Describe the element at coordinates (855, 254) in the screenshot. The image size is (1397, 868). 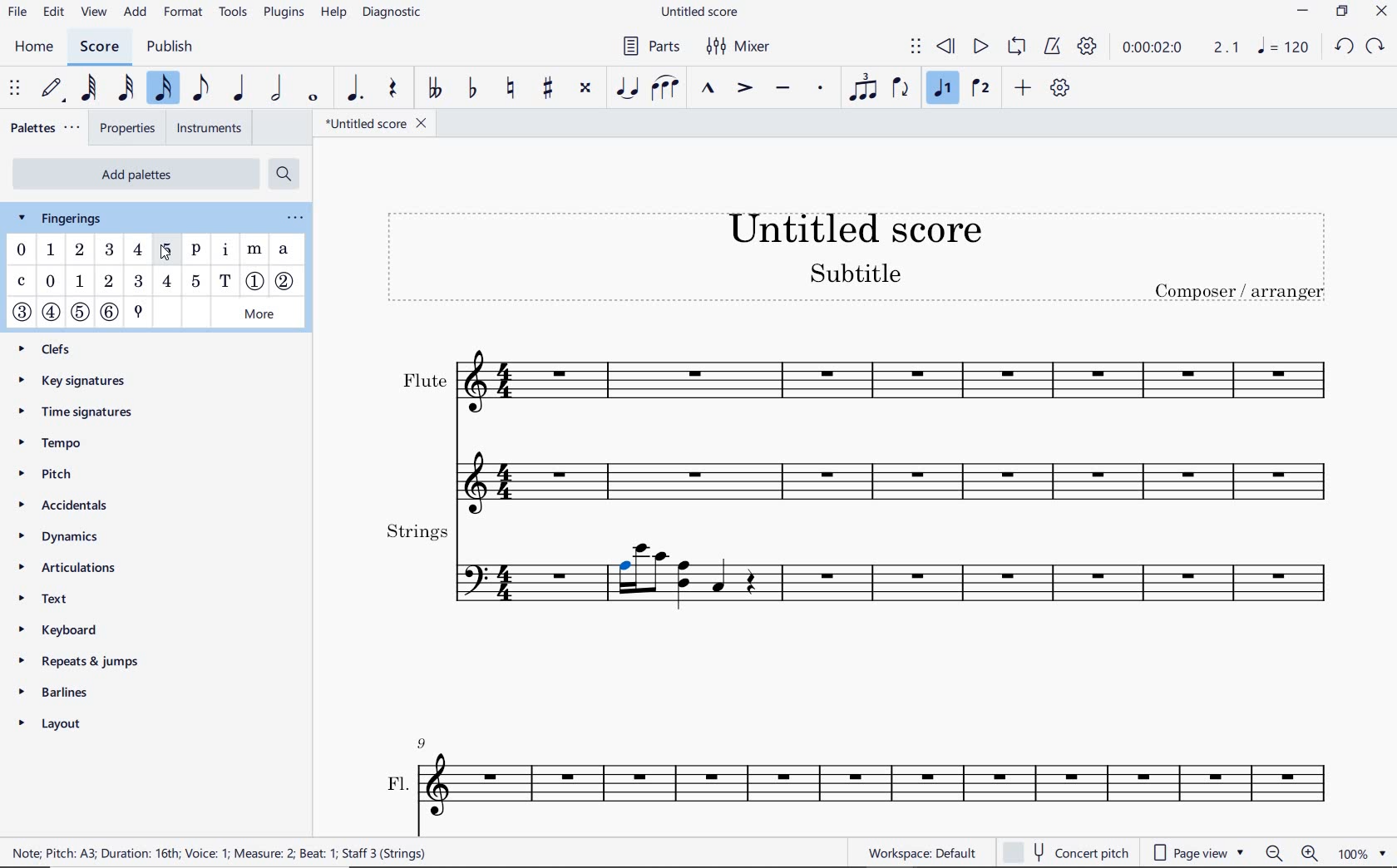
I see `title` at that location.